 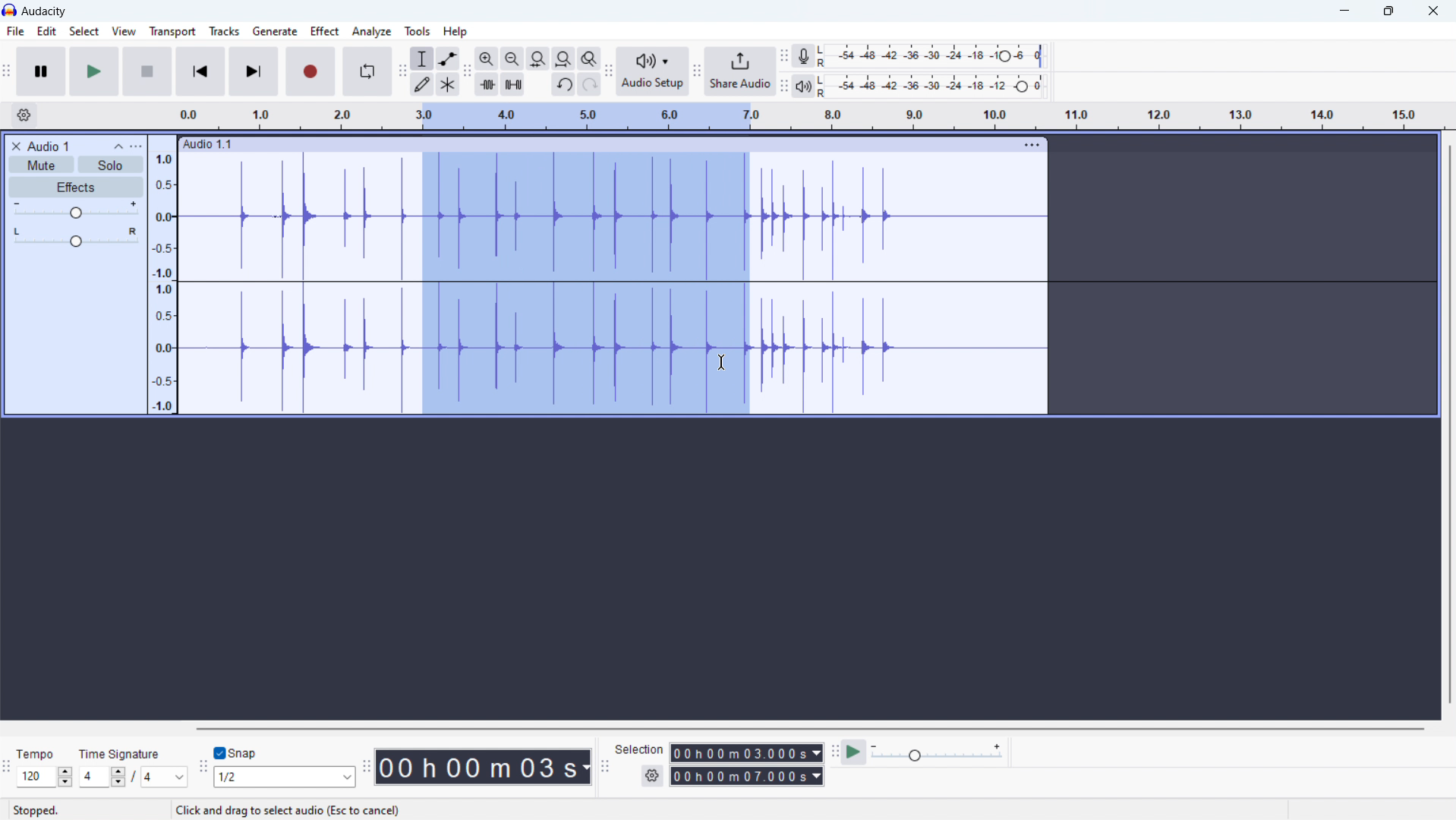 I want to click on selection toolbar, so click(x=604, y=766).